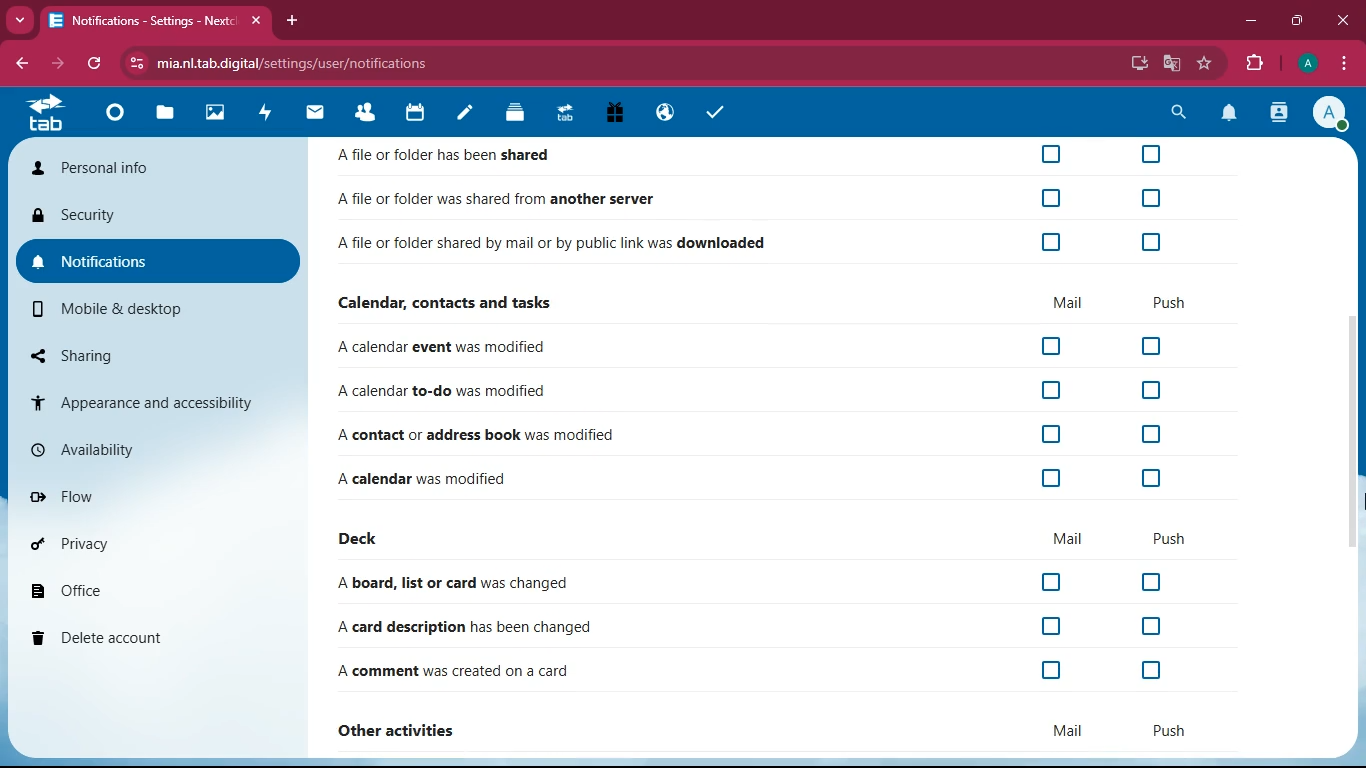  I want to click on mail, so click(1071, 538).